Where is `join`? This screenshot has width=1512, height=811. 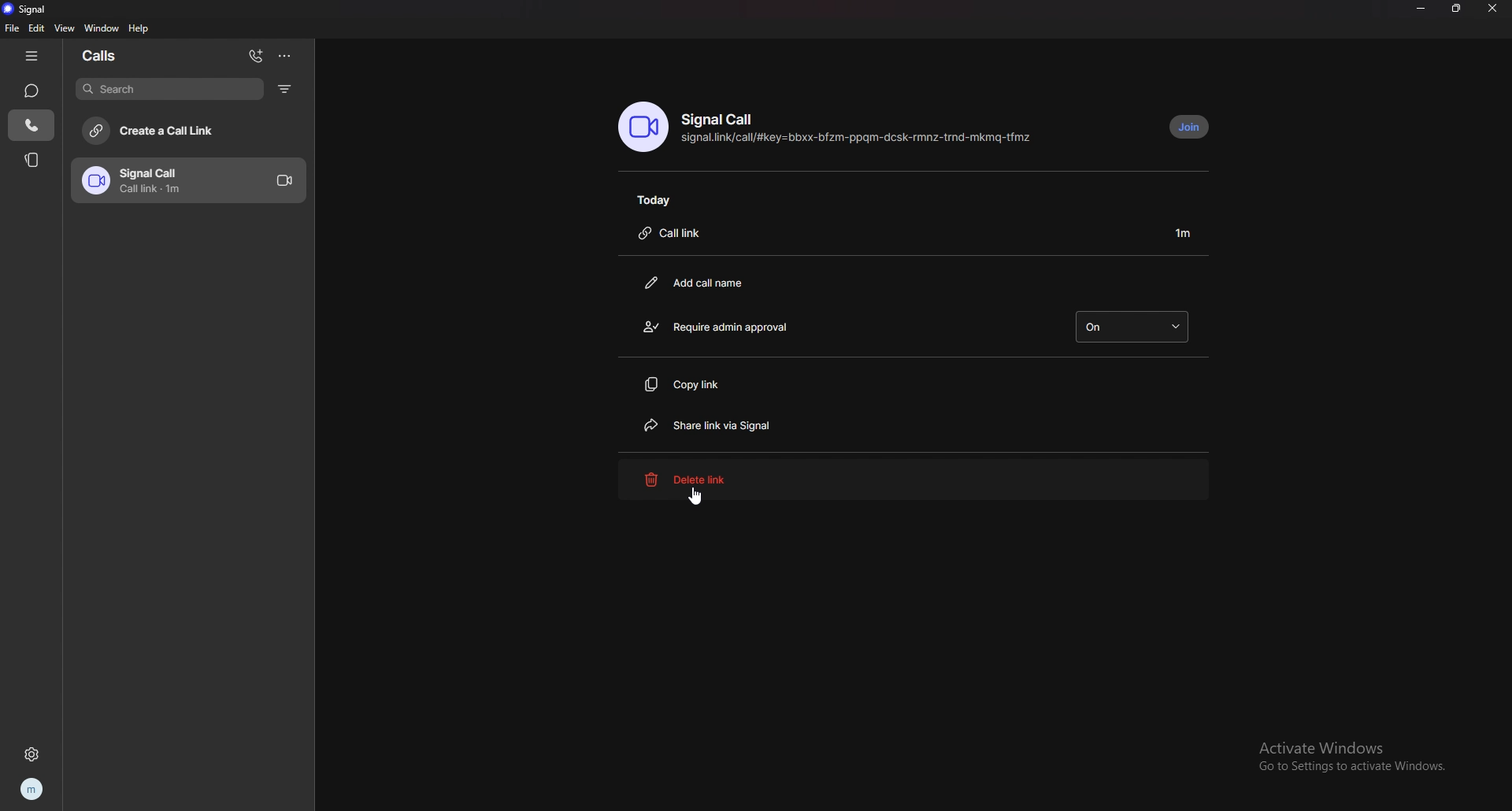
join is located at coordinates (1191, 126).